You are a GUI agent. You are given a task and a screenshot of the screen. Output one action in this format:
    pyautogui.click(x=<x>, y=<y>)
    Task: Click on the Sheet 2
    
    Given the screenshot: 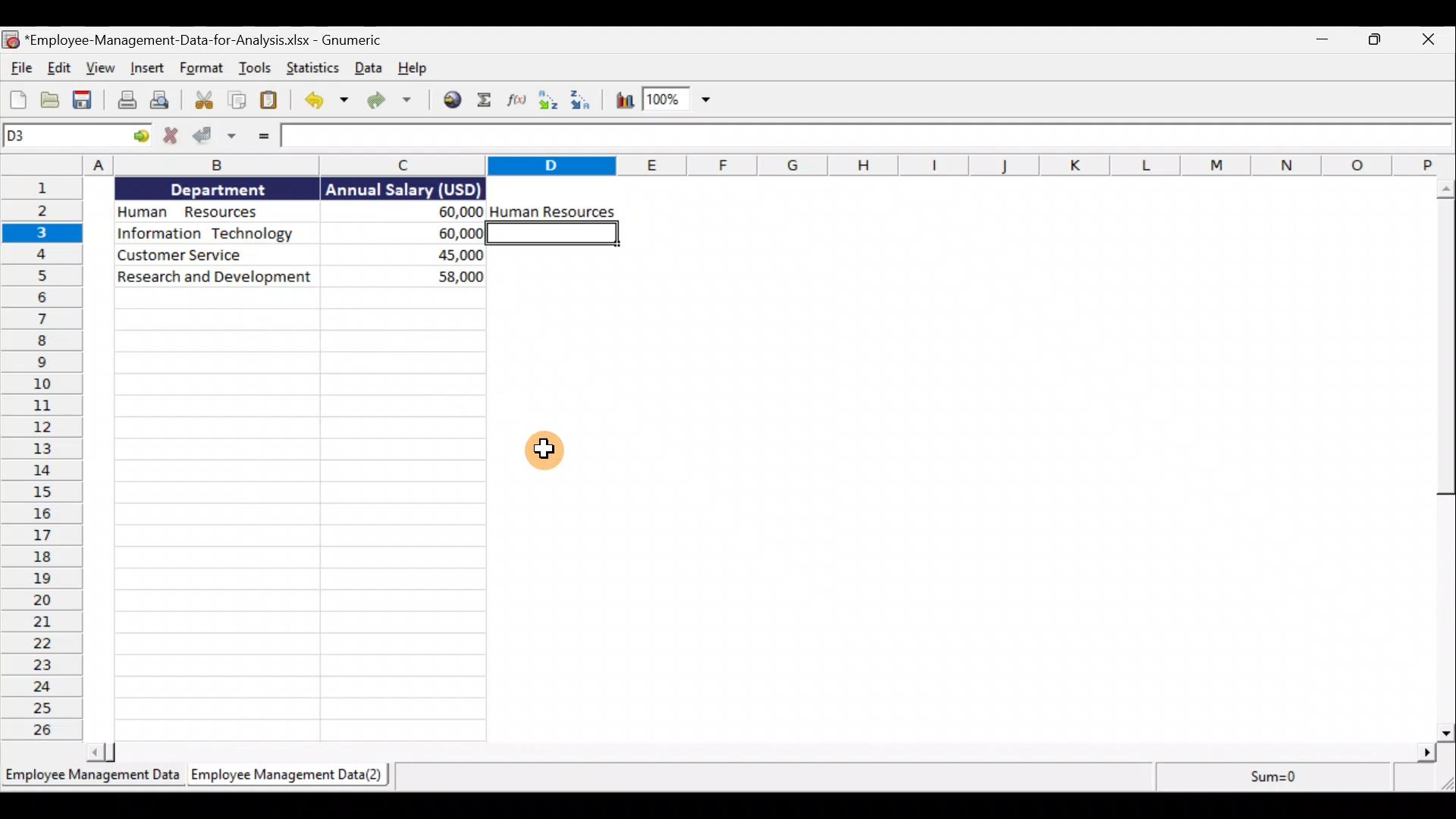 What is the action you would take?
    pyautogui.click(x=295, y=776)
    